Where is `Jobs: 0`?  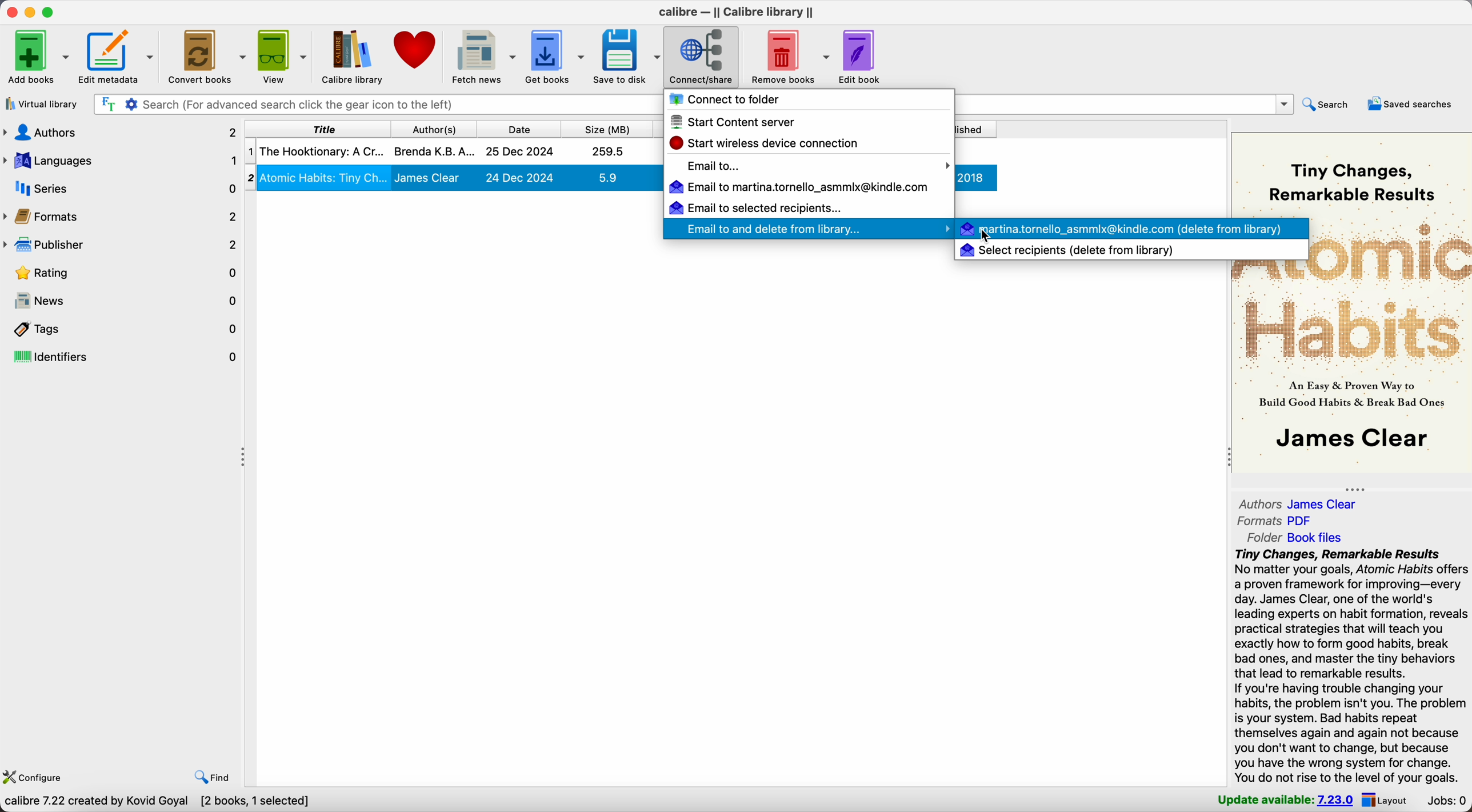 Jobs: 0 is located at coordinates (1445, 801).